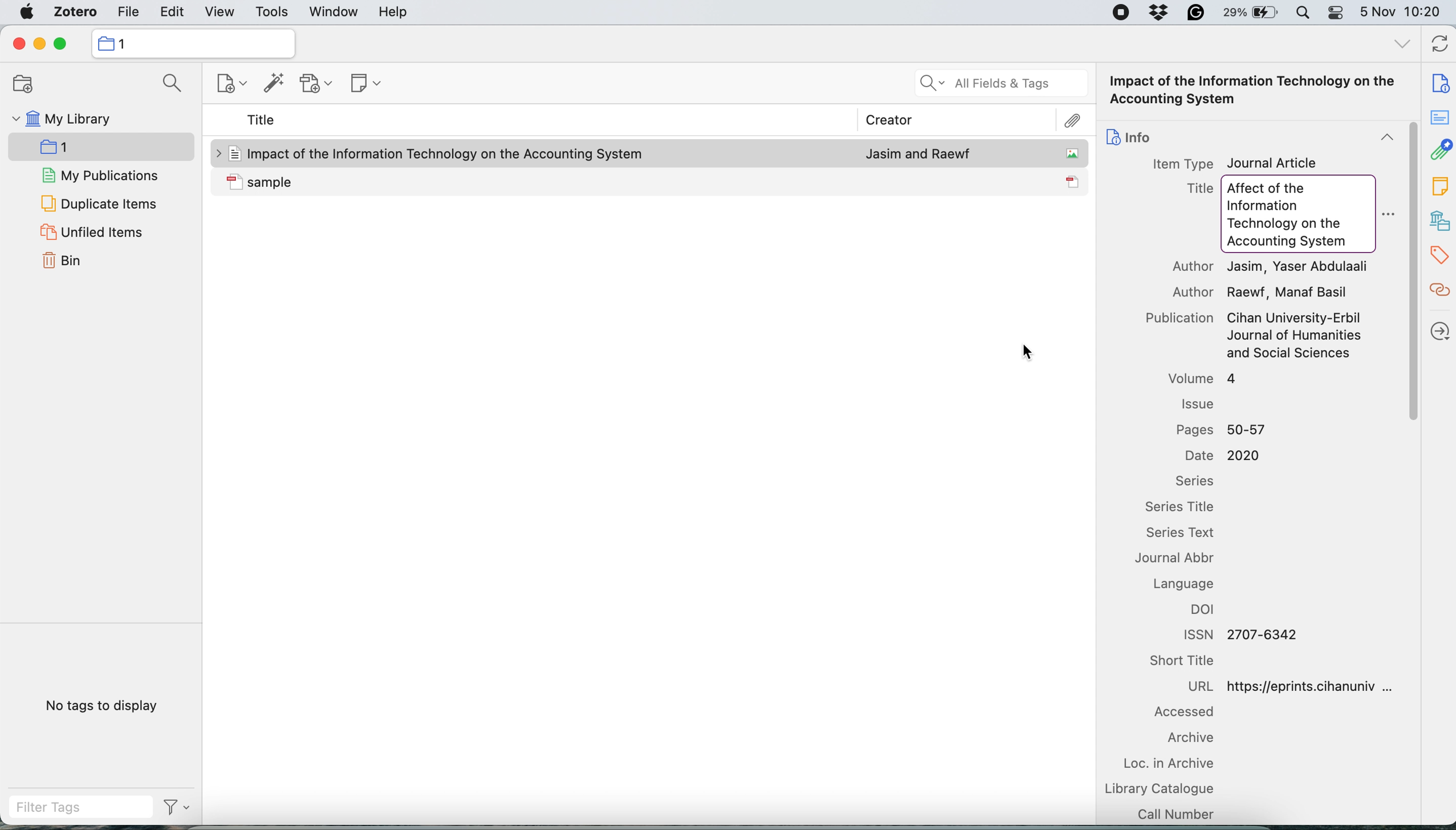 This screenshot has width=1456, height=830. What do you see at coordinates (1233, 163) in the screenshot?
I see `Item Type Journal Article` at bounding box center [1233, 163].